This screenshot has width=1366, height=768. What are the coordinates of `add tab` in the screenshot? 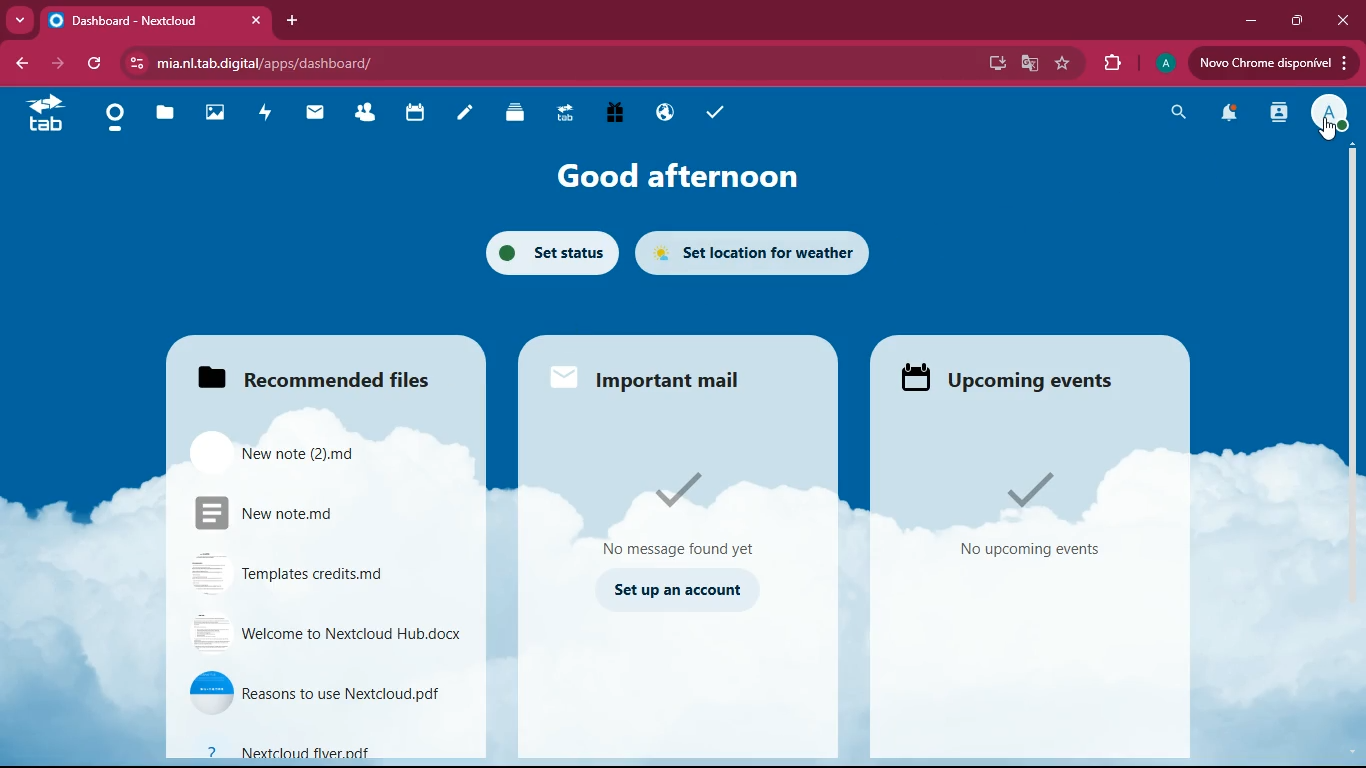 It's located at (290, 21).